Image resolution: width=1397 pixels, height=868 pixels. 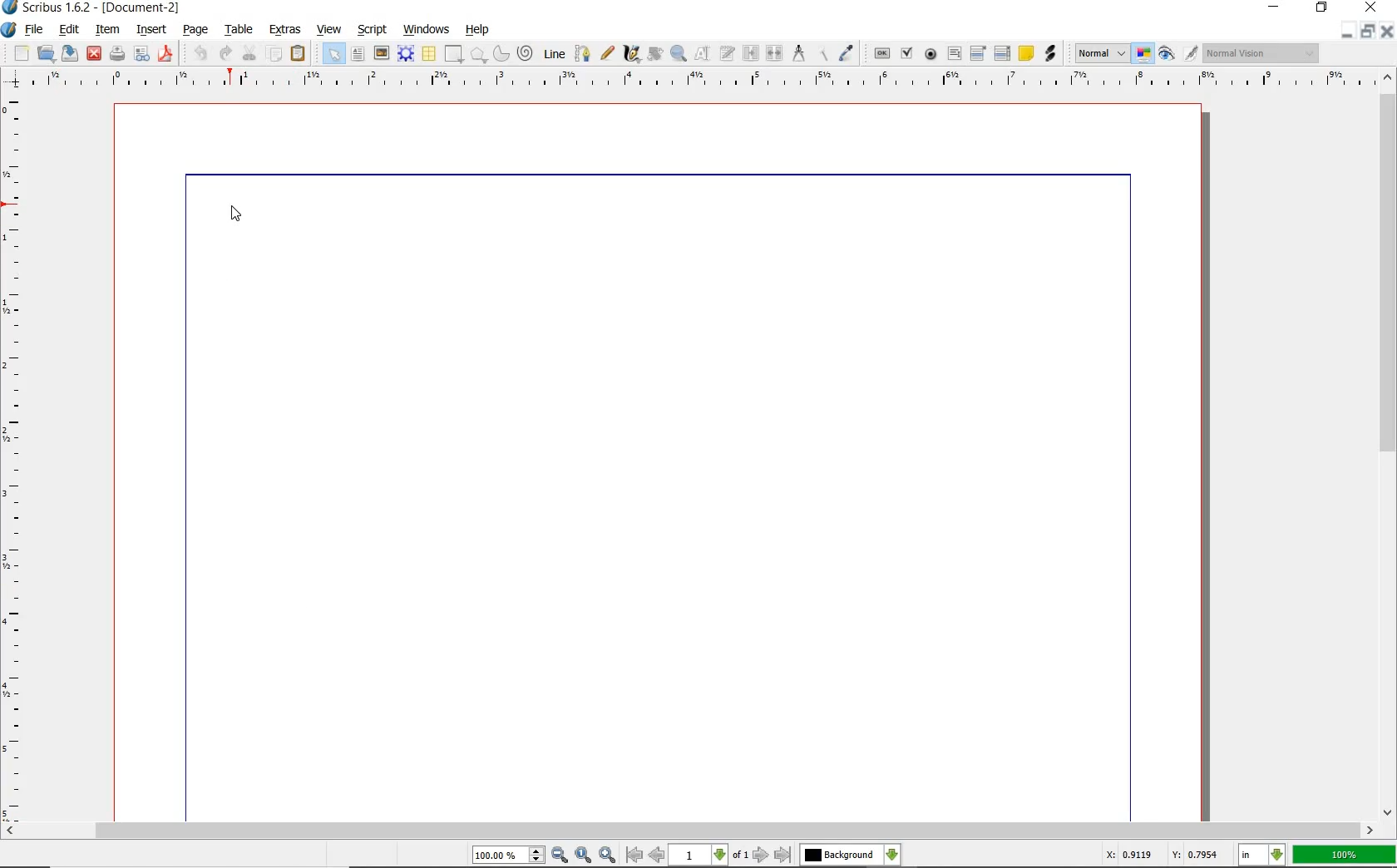 I want to click on pdf text field, so click(x=954, y=54).